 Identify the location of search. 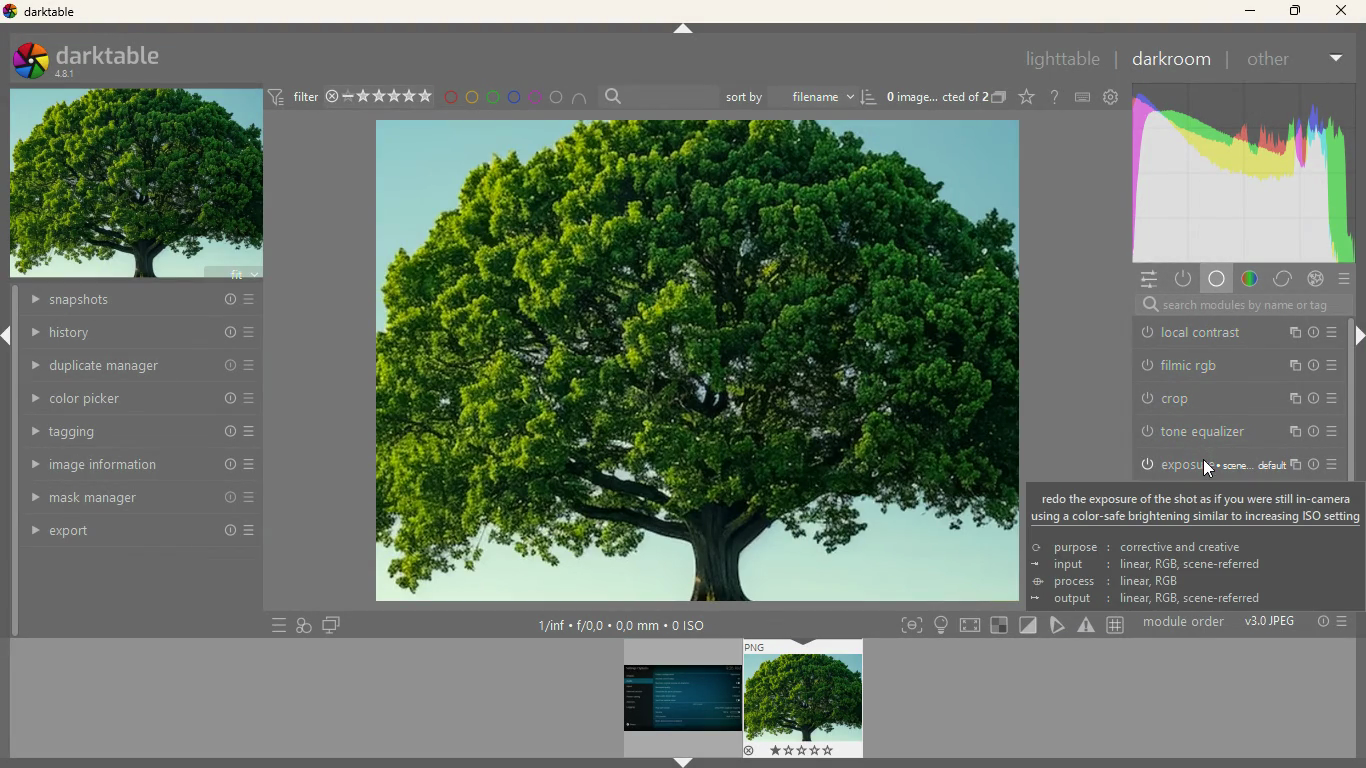
(1238, 306).